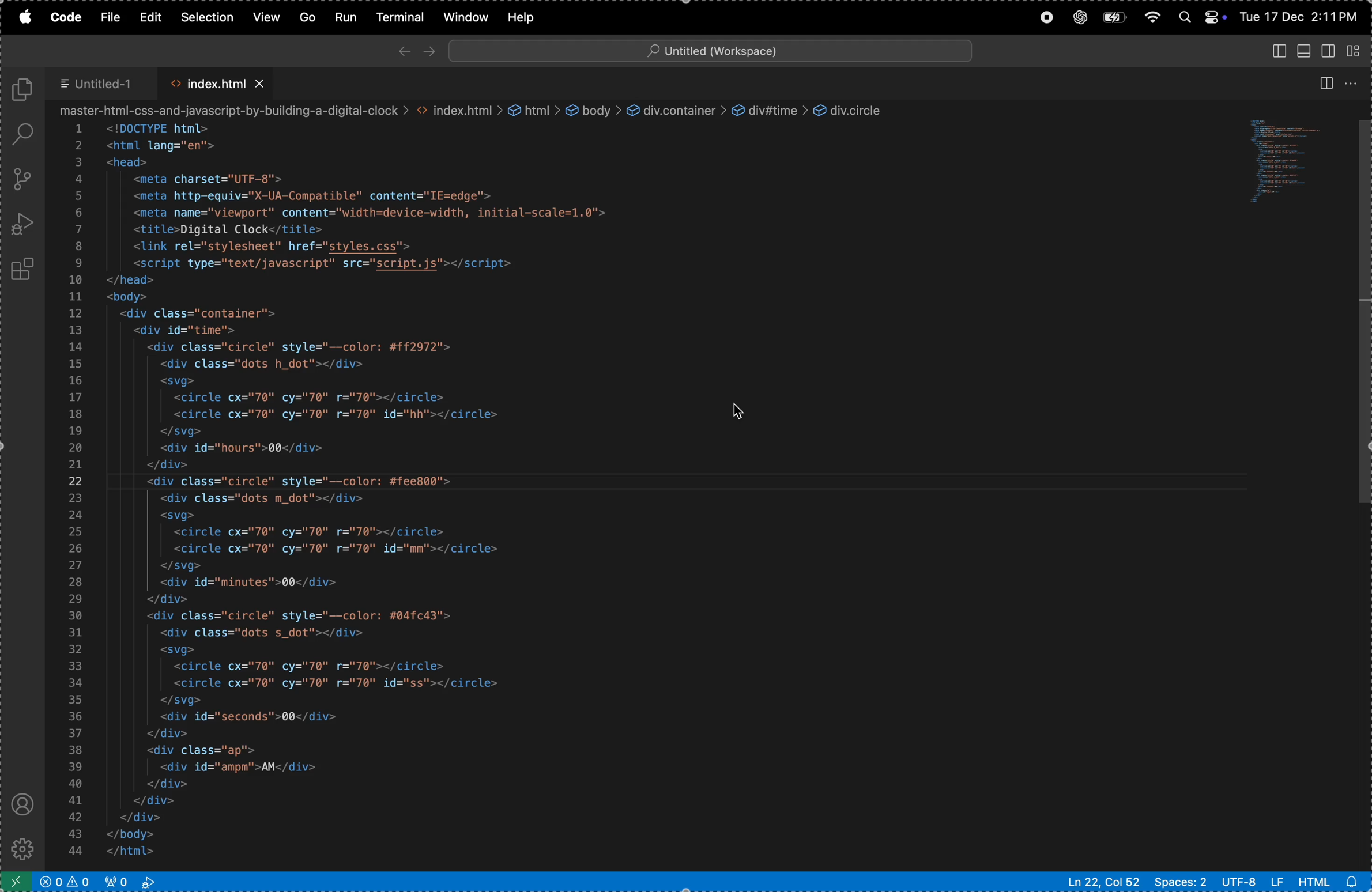  Describe the element at coordinates (269, 17) in the screenshot. I see `view` at that location.